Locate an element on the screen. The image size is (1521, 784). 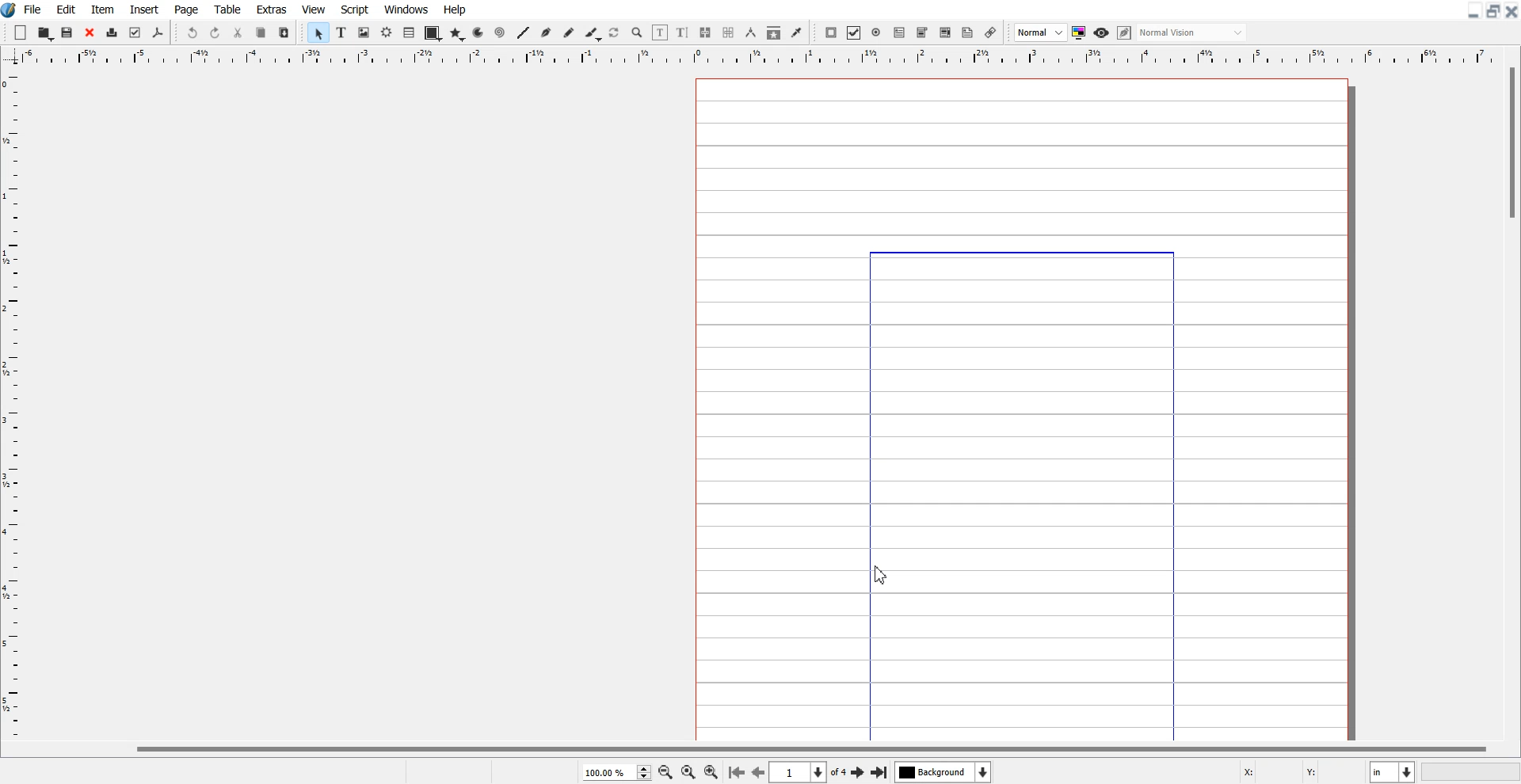
Vertical Scale is located at coordinates (13, 405).